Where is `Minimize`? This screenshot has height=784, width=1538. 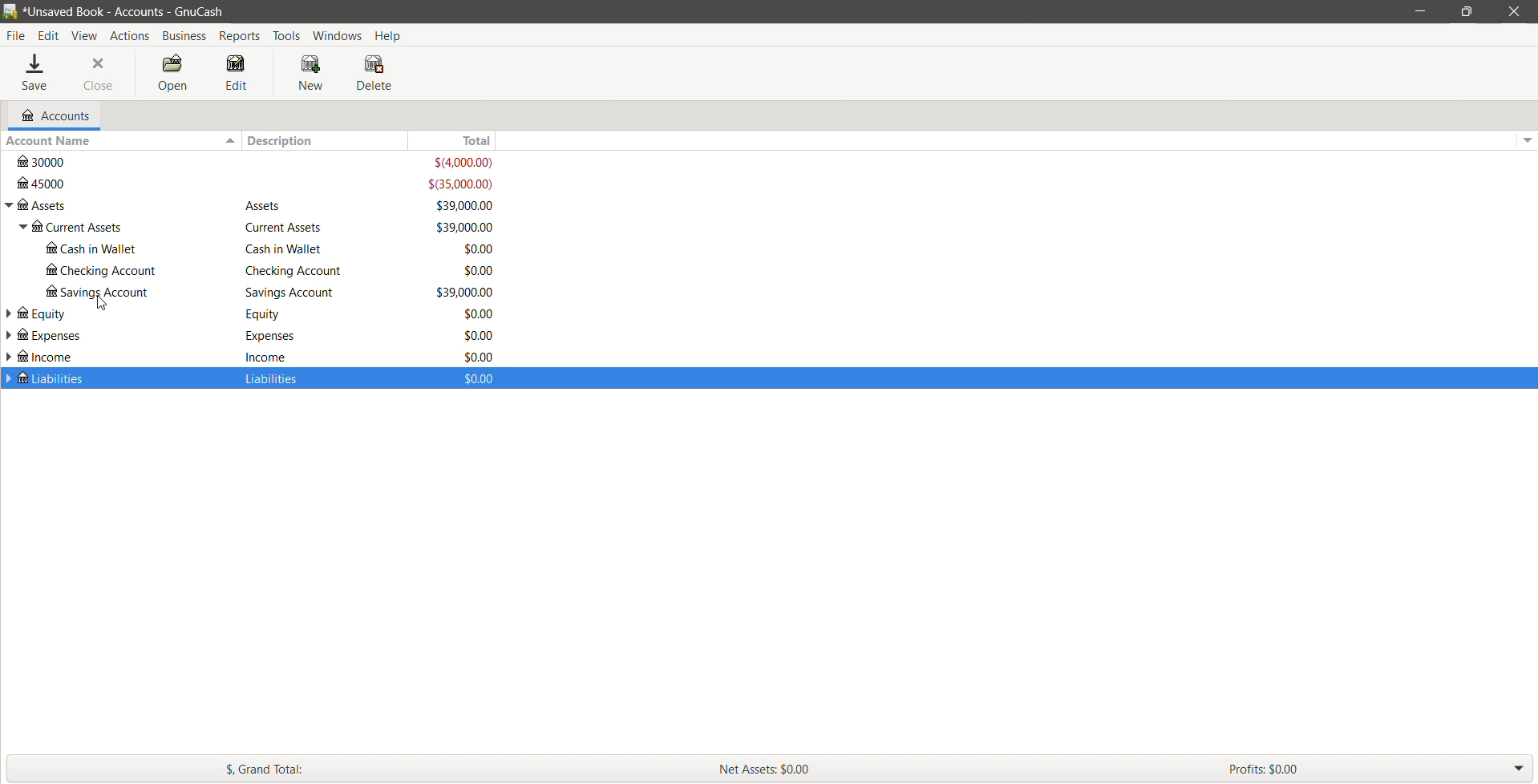
Minimize is located at coordinates (1420, 10).